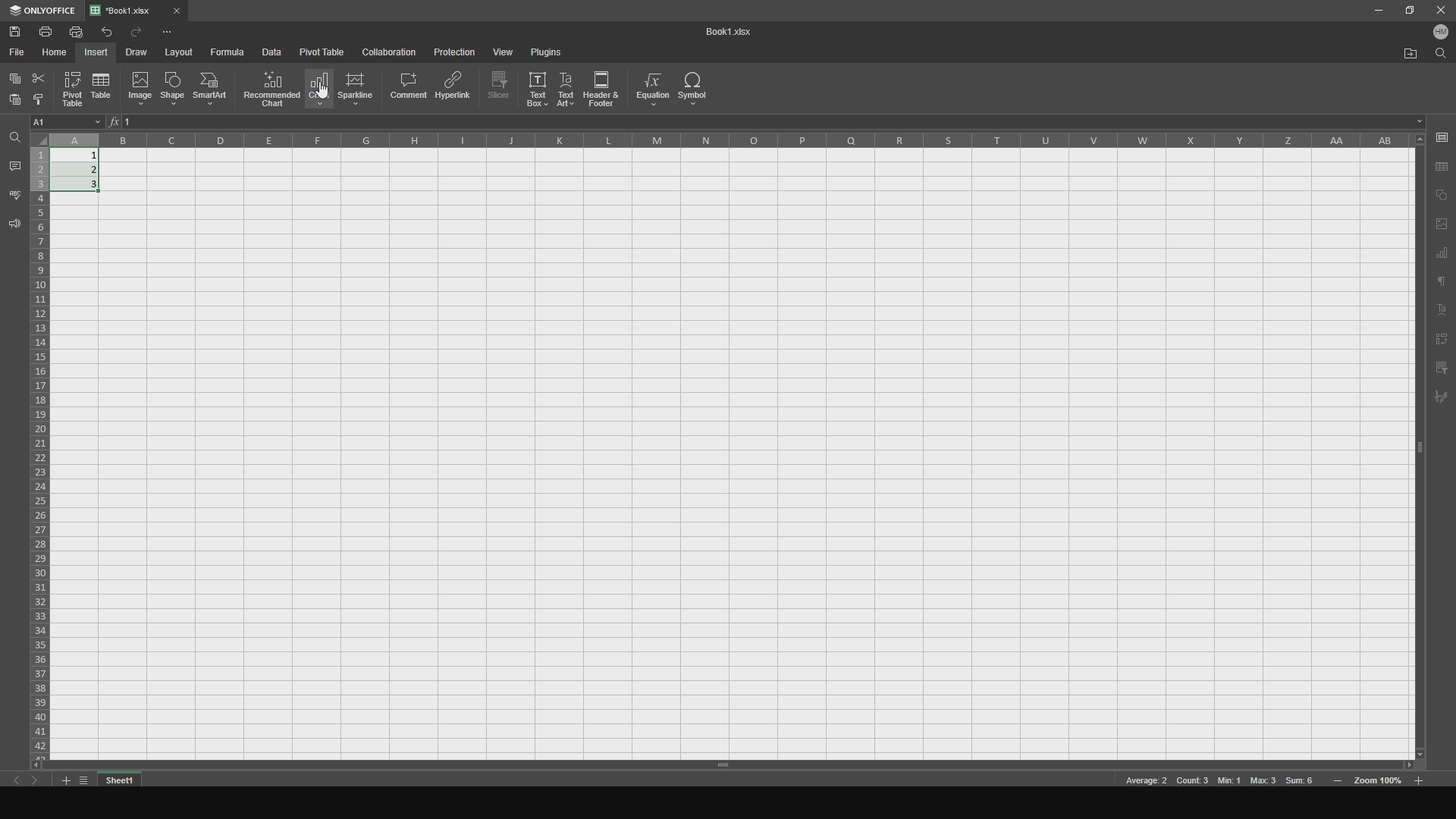  Describe the element at coordinates (1338, 782) in the screenshot. I see `zoom in` at that location.